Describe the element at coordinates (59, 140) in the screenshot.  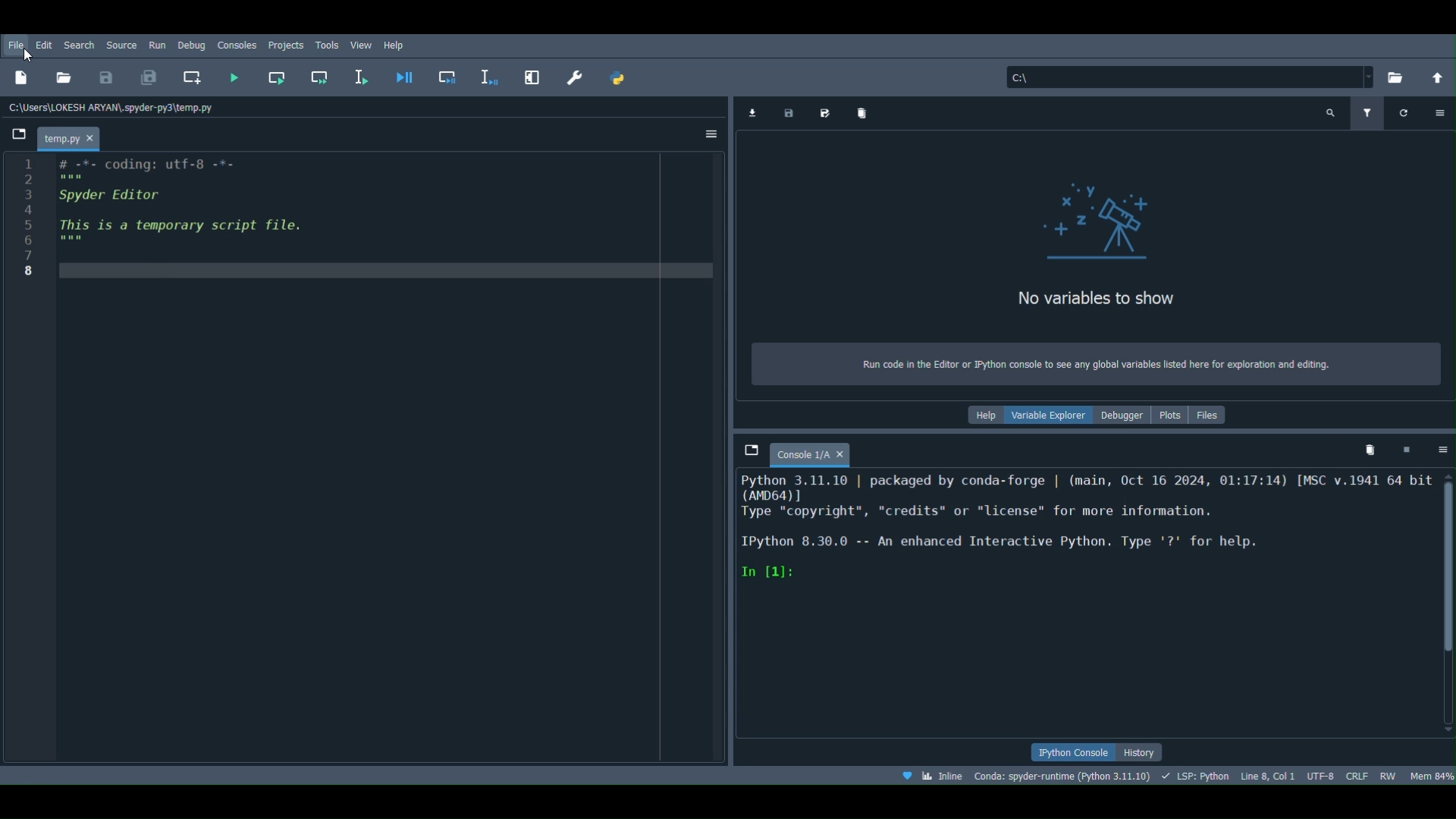
I see `temp.py` at that location.